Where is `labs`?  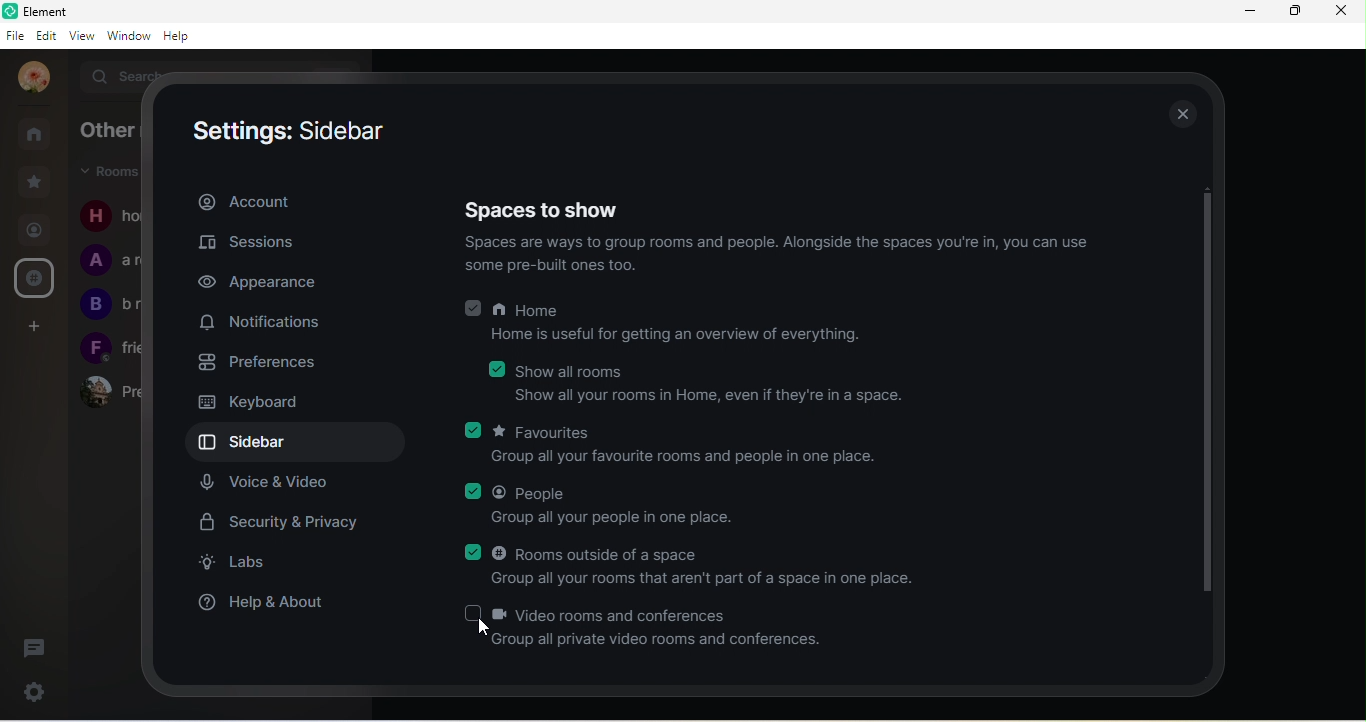 labs is located at coordinates (252, 563).